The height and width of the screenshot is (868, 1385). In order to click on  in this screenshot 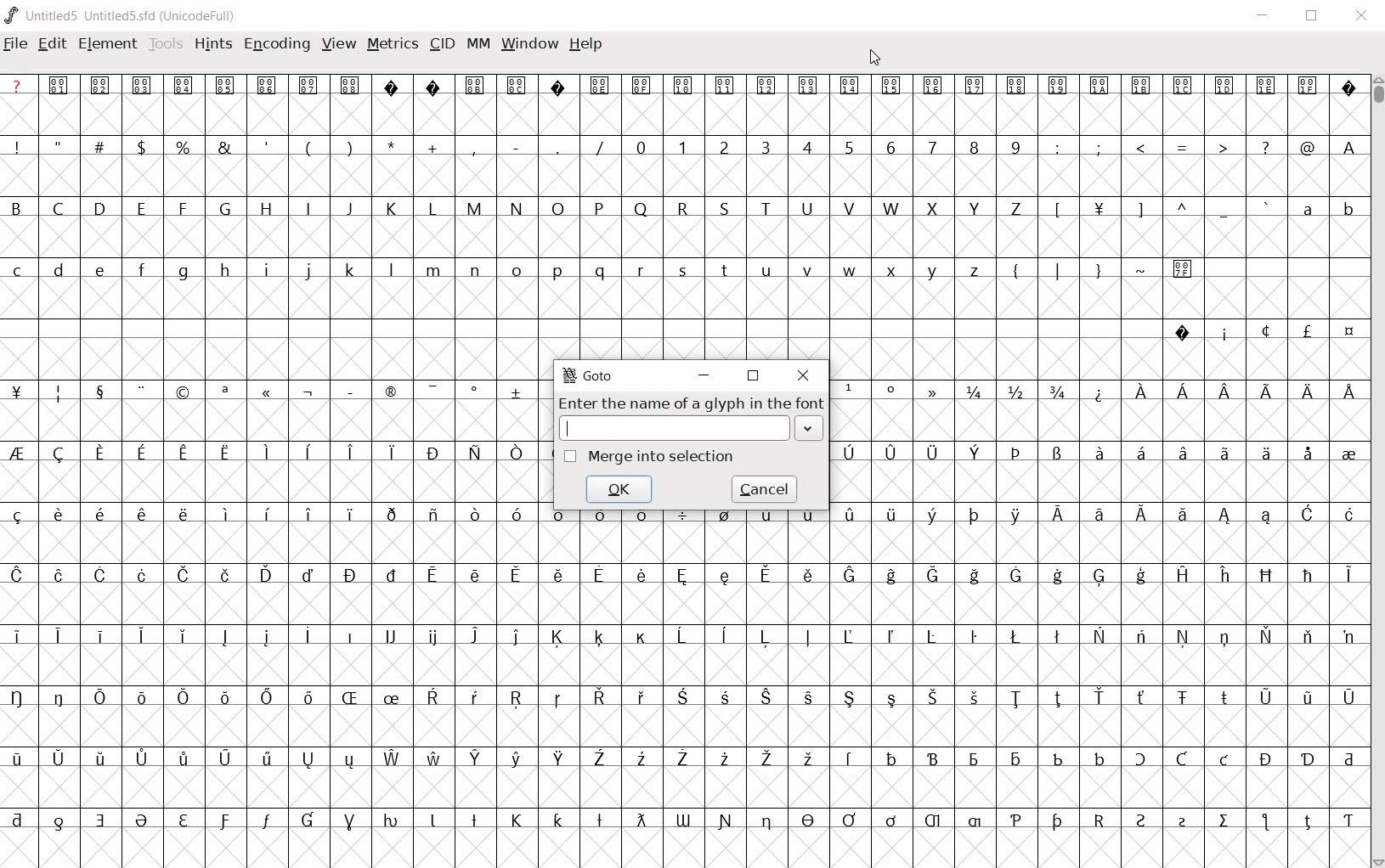, I will do `click(558, 819)`.